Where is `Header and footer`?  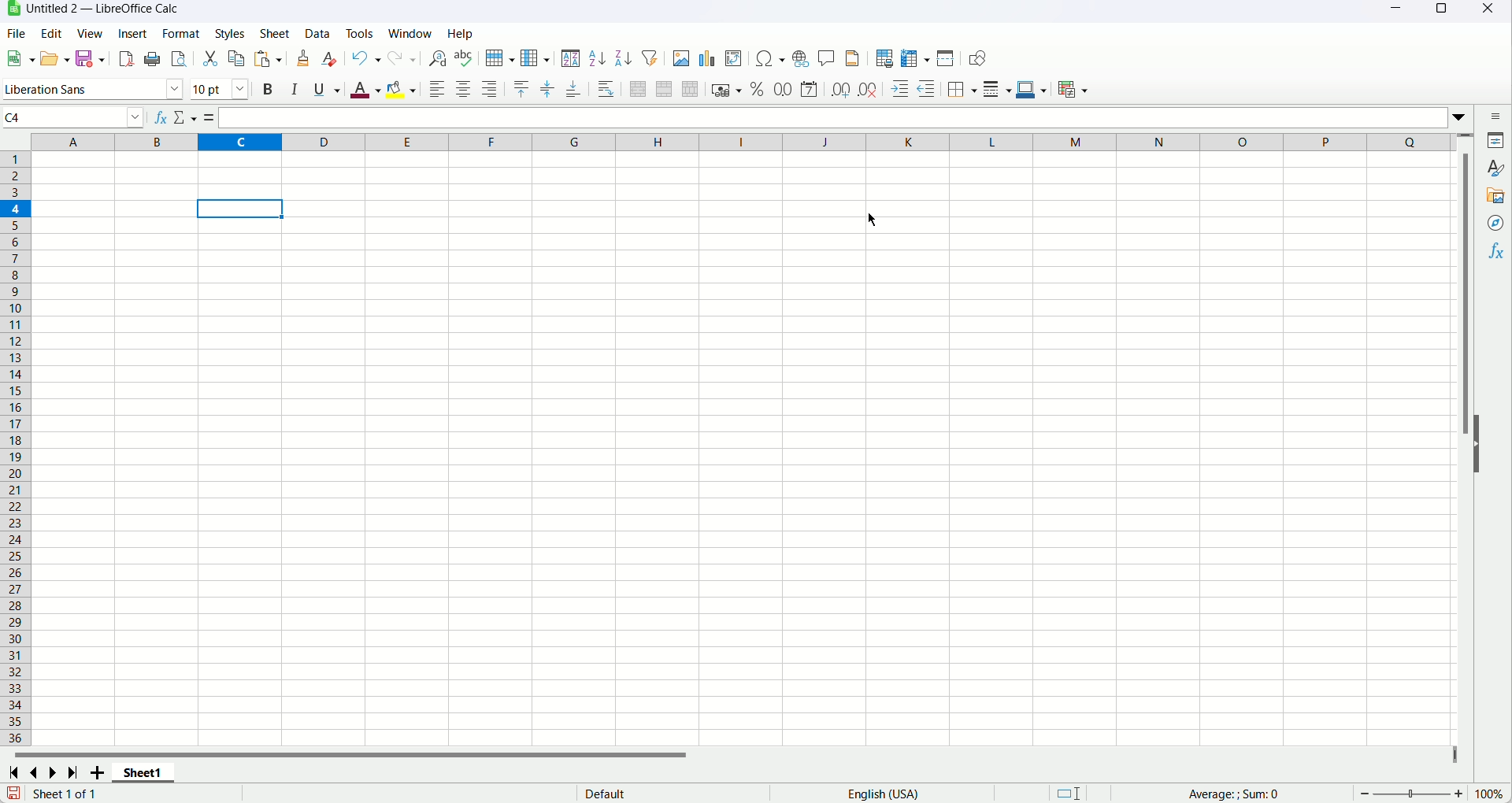 Header and footer is located at coordinates (852, 58).